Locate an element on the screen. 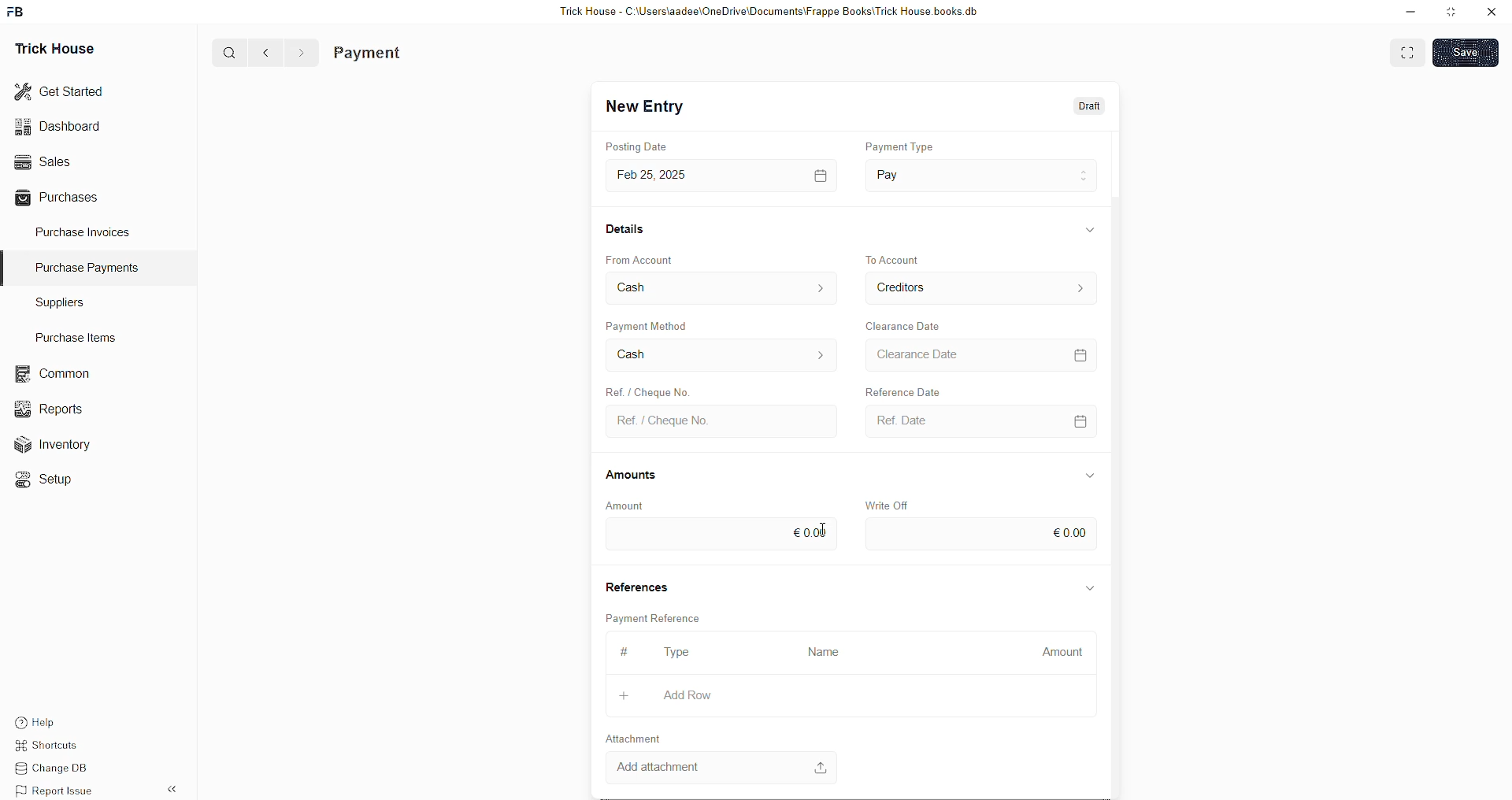  €0.00 is located at coordinates (1063, 529).